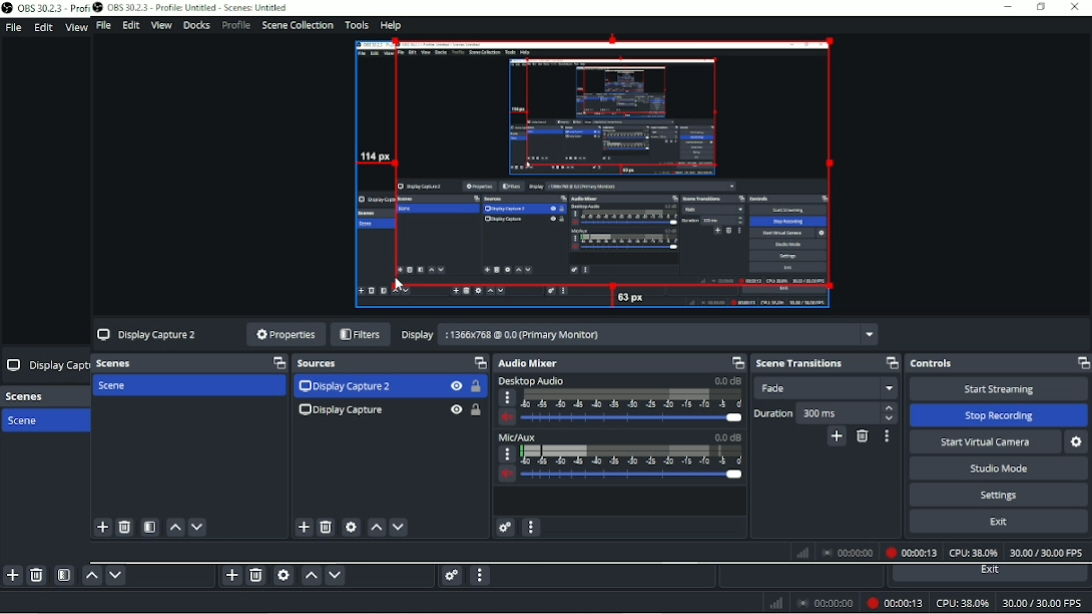 The width and height of the screenshot is (1092, 614). I want to click on View, so click(161, 26).